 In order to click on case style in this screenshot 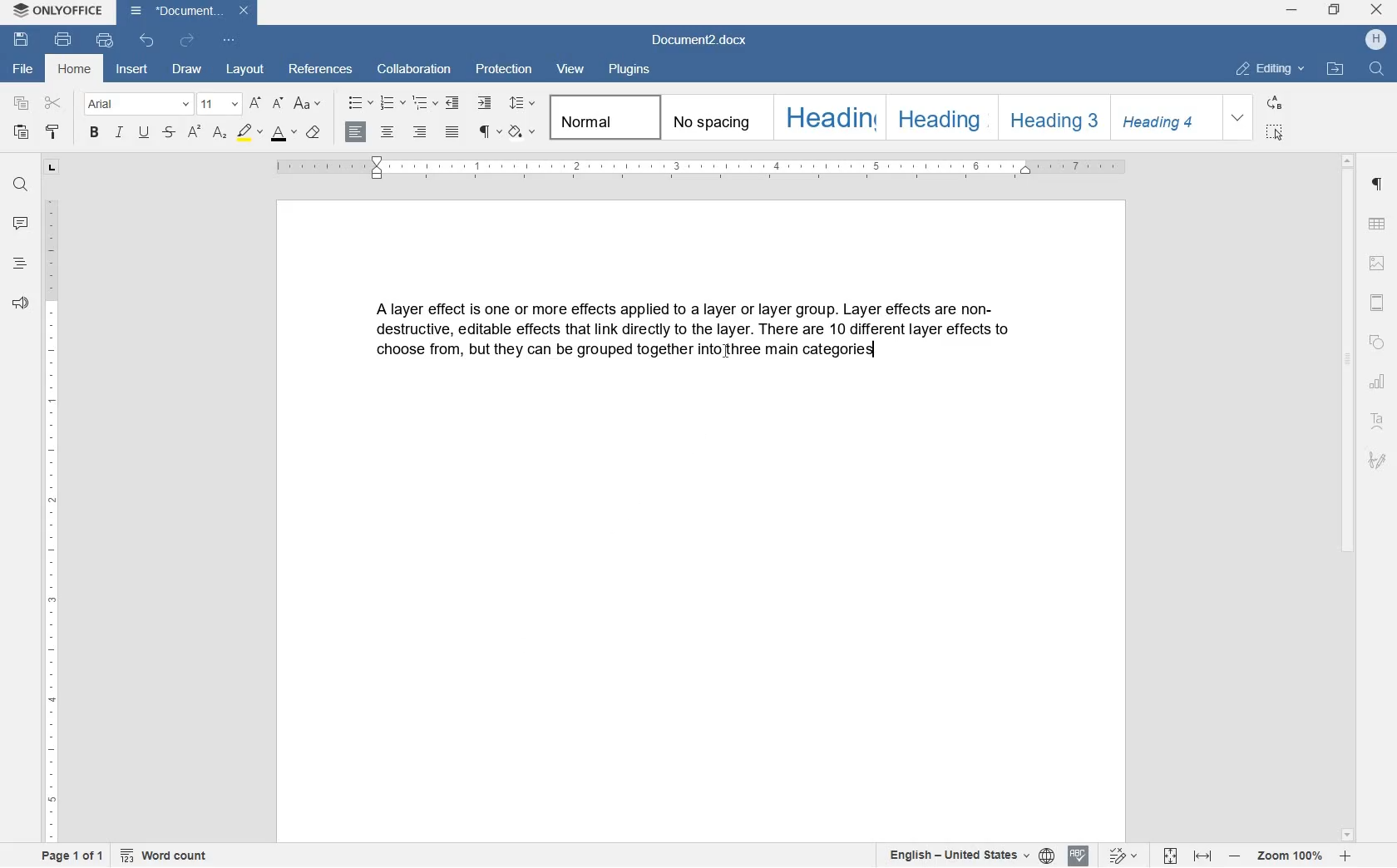, I will do `click(313, 131)`.